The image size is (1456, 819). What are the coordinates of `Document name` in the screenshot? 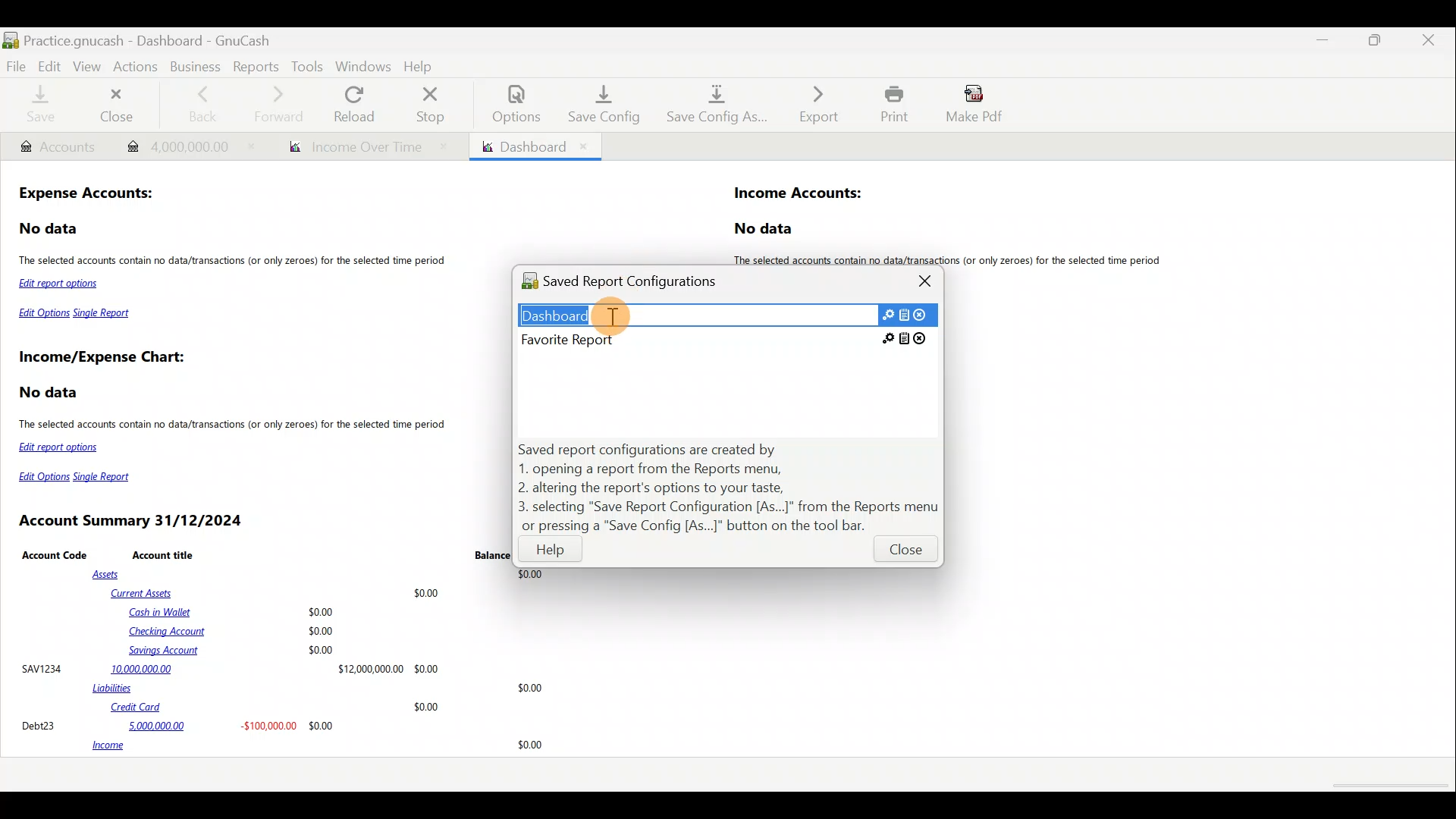 It's located at (169, 36).